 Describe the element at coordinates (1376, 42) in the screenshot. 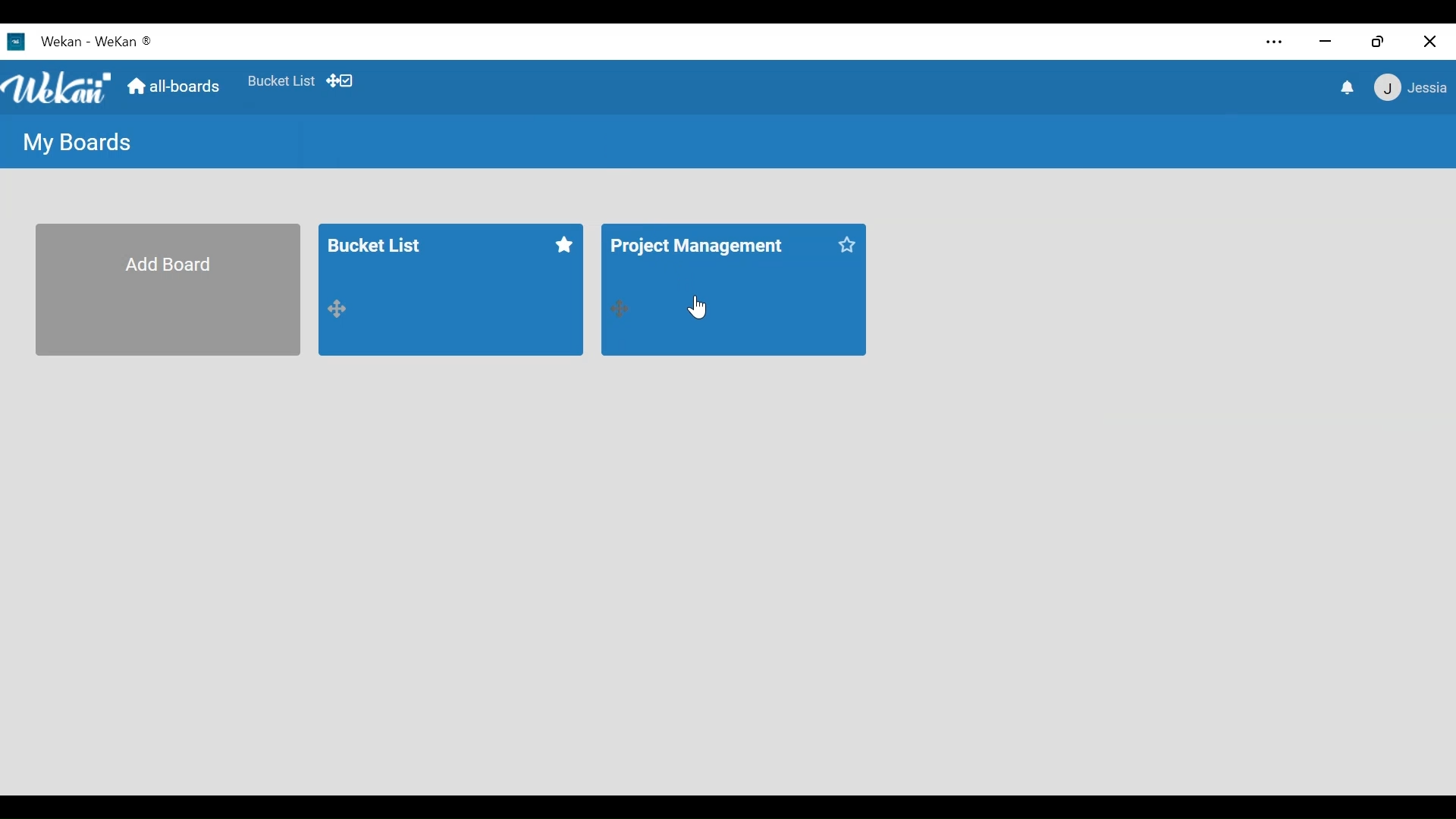

I see `Restore` at that location.